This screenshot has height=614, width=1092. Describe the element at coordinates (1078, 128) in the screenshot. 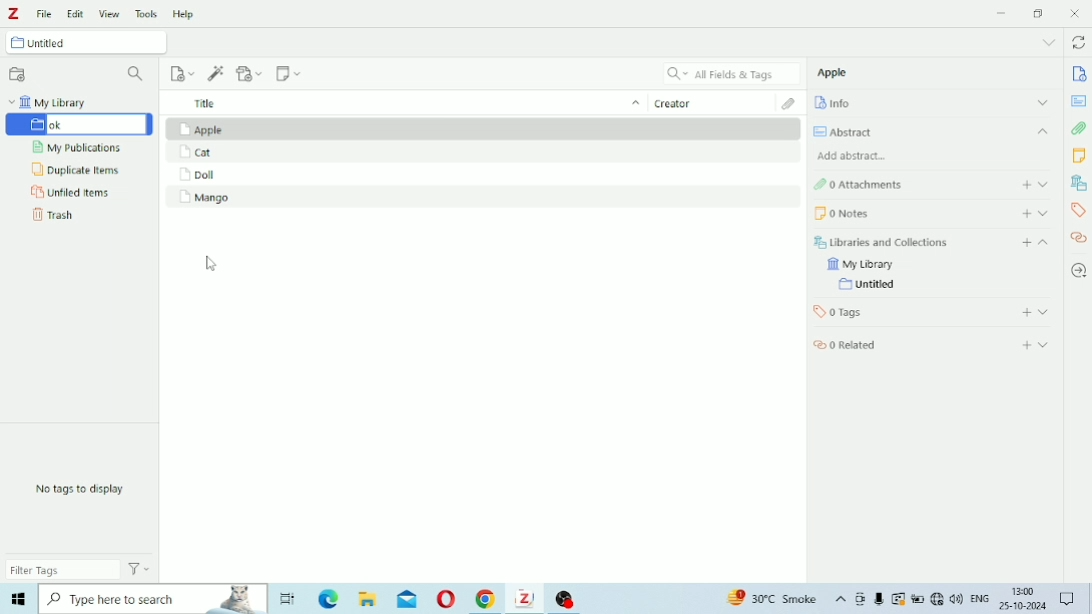

I see `Attachments` at that location.